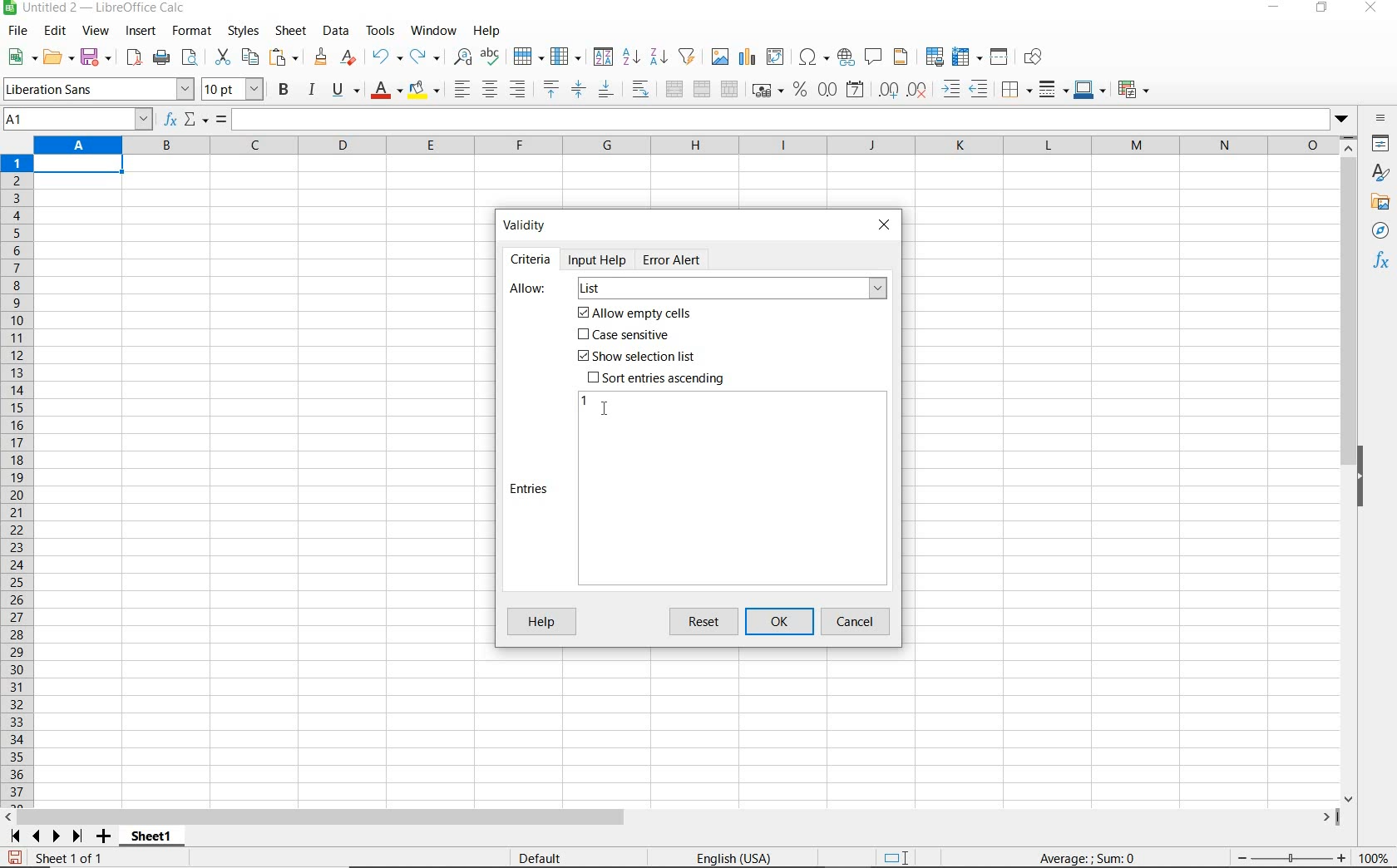 The width and height of the screenshot is (1397, 868). Describe the element at coordinates (196, 121) in the screenshot. I see `select function` at that location.